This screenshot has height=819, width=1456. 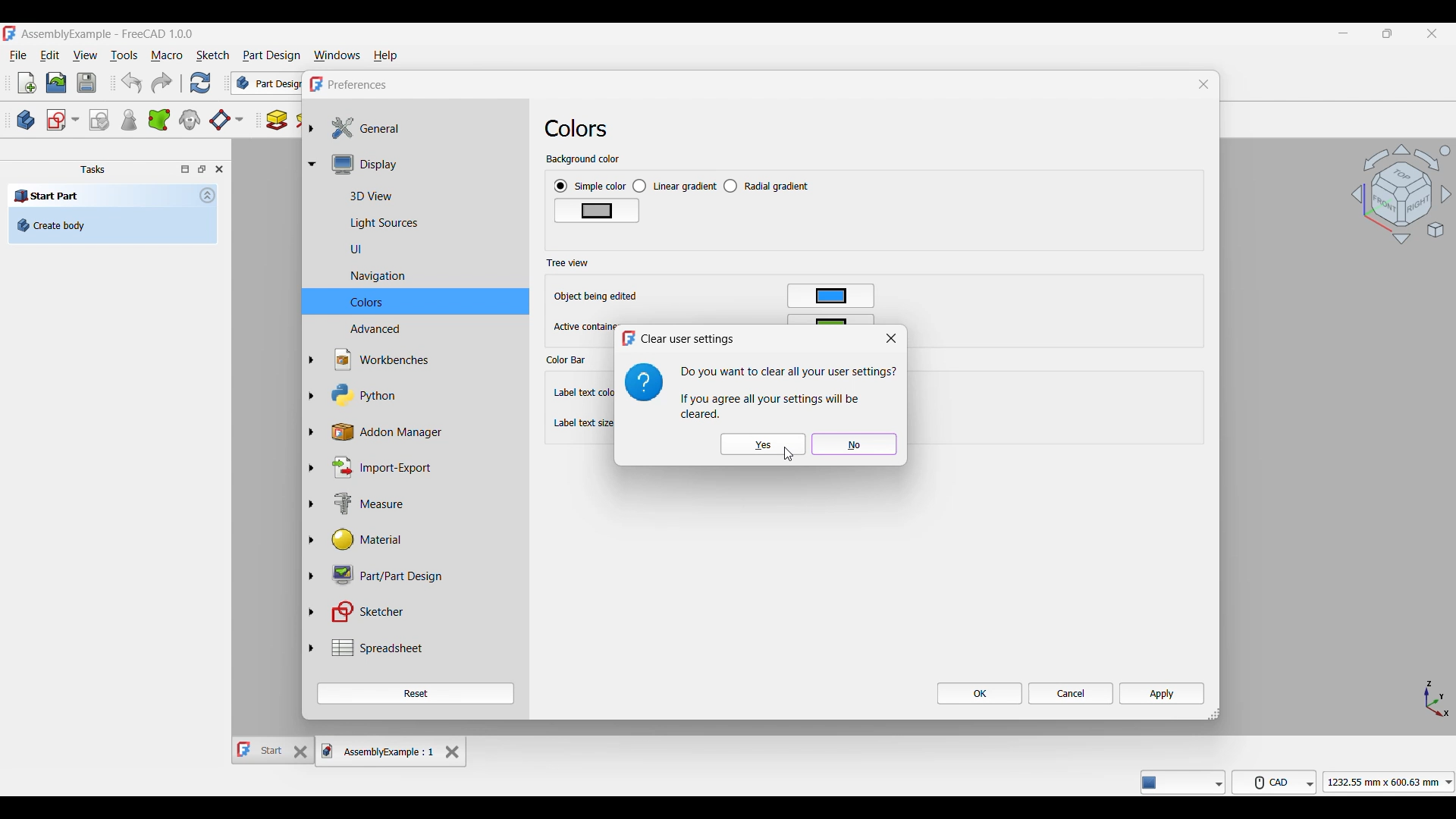 What do you see at coordinates (353, 196) in the screenshot?
I see `3D view` at bounding box center [353, 196].